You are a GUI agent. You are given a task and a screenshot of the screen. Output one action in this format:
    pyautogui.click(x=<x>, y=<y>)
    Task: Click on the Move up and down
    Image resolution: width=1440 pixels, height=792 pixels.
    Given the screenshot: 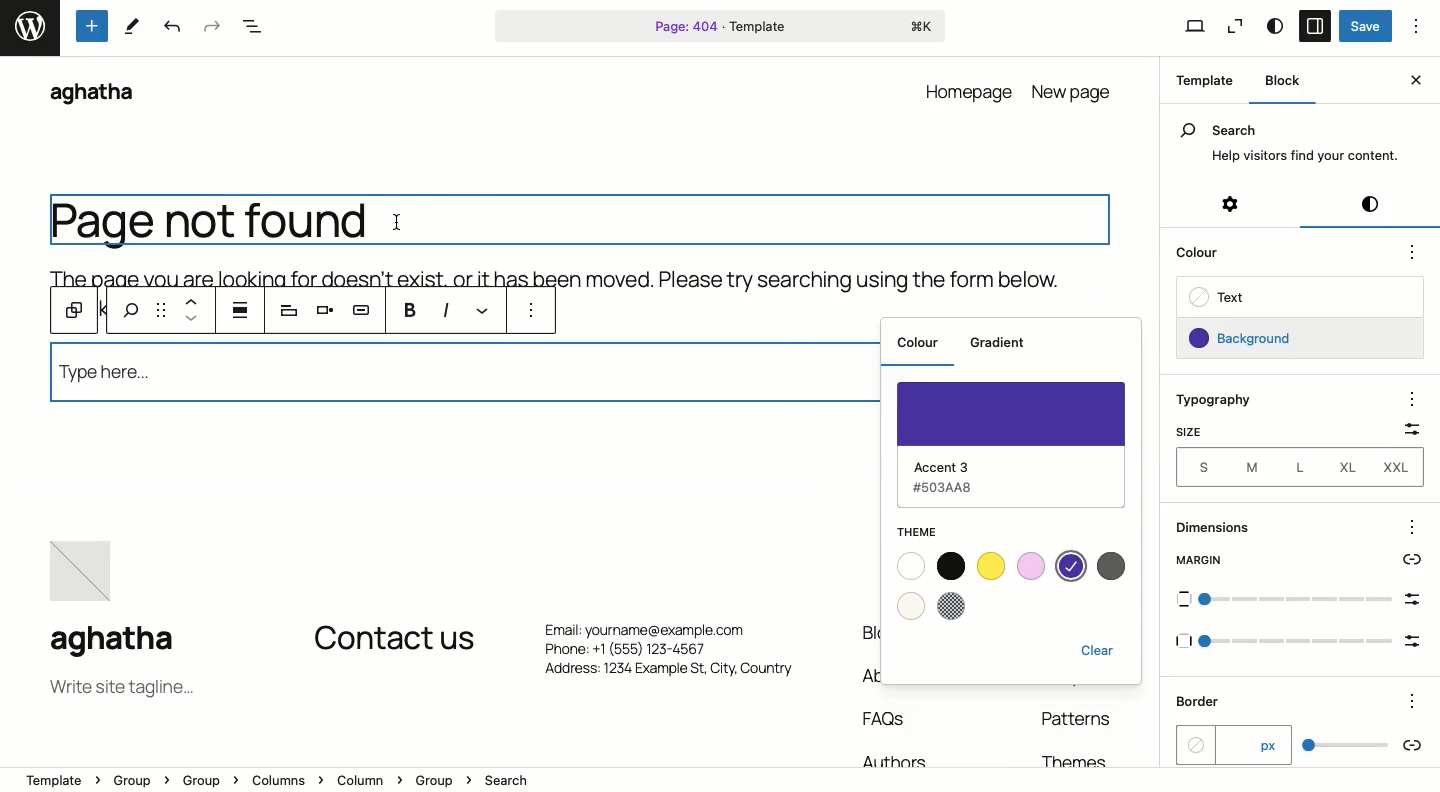 What is the action you would take?
    pyautogui.click(x=190, y=313)
    